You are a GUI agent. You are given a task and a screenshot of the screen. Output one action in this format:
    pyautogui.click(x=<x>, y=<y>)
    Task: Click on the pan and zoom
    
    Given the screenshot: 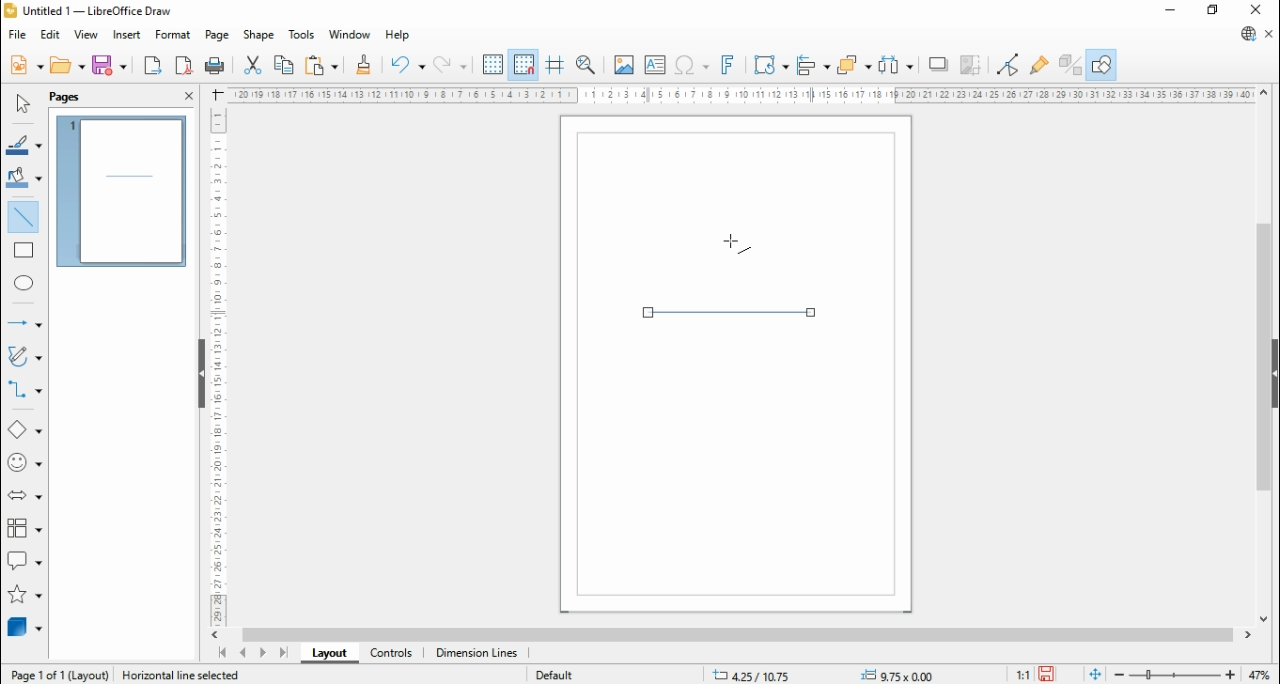 What is the action you would take?
    pyautogui.click(x=586, y=64)
    